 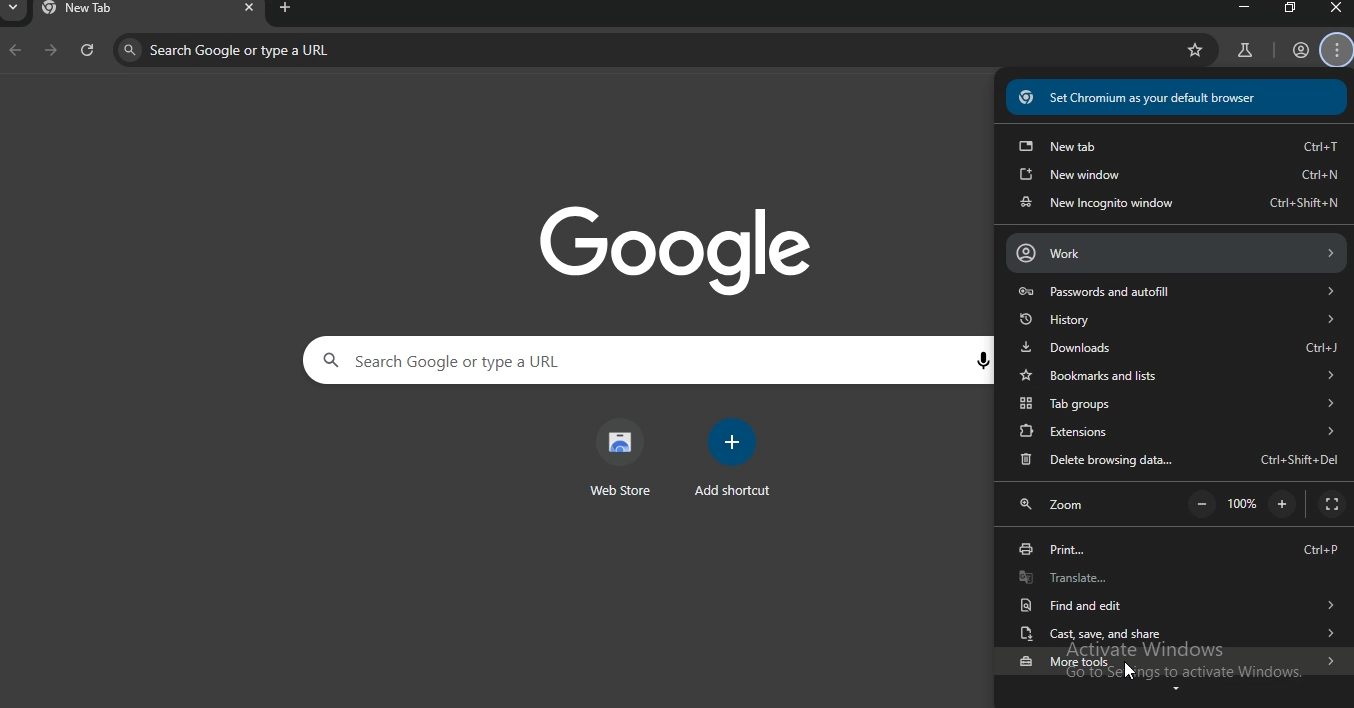 What do you see at coordinates (611, 360) in the screenshot?
I see `search google or type a URL` at bounding box center [611, 360].